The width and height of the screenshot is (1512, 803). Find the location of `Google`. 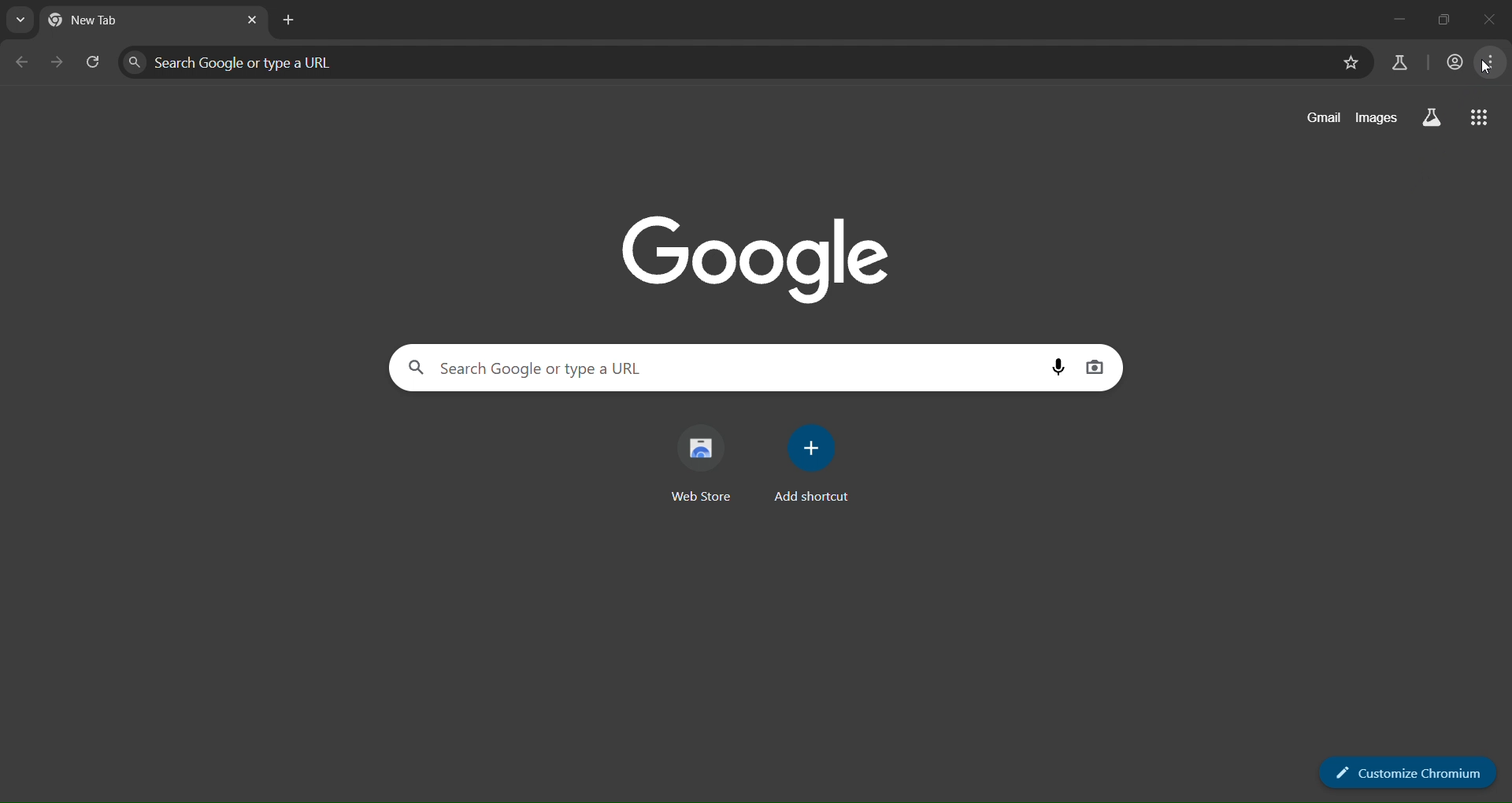

Google is located at coordinates (751, 253).